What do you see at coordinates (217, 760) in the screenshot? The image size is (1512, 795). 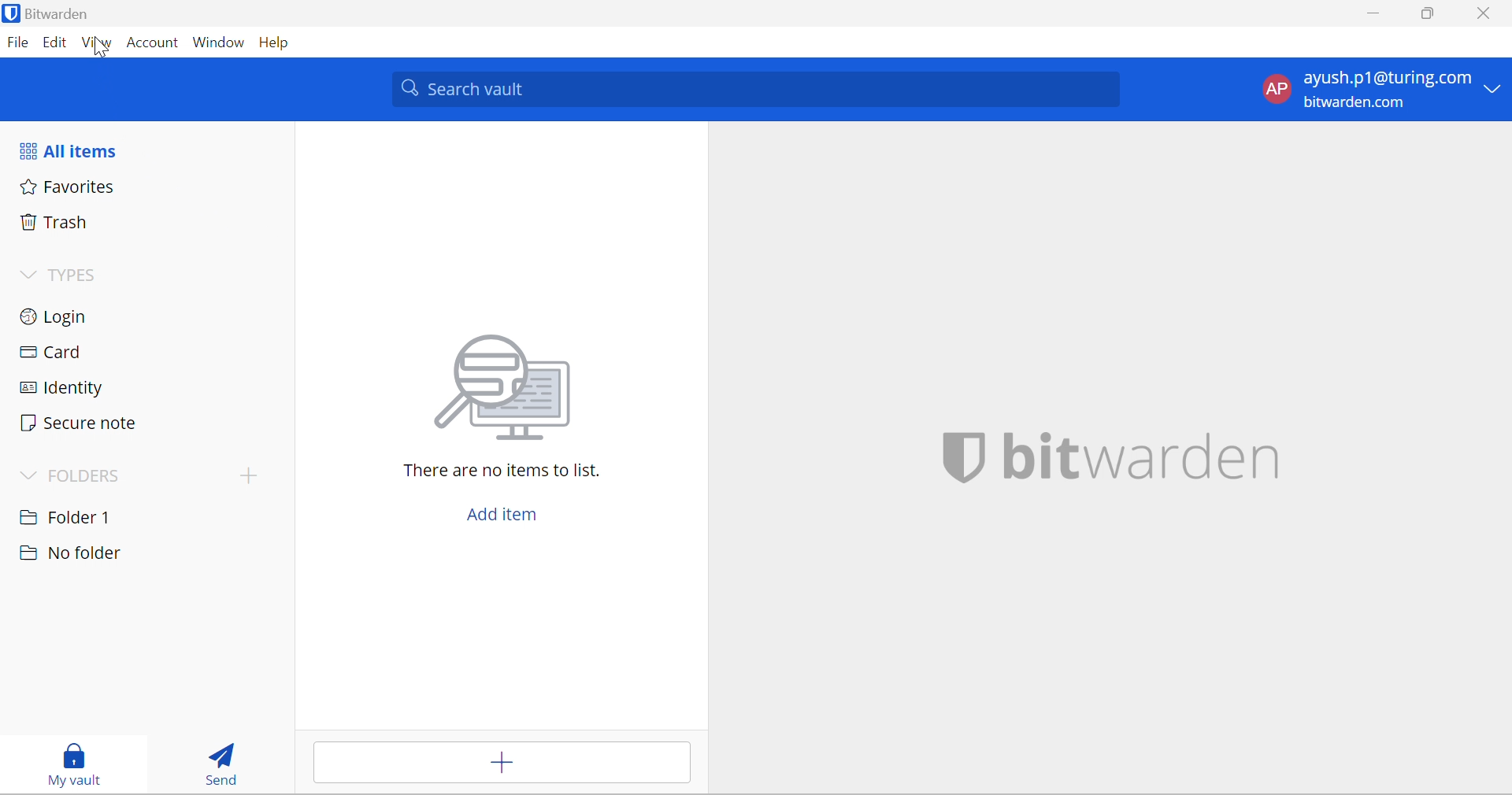 I see `Send` at bounding box center [217, 760].